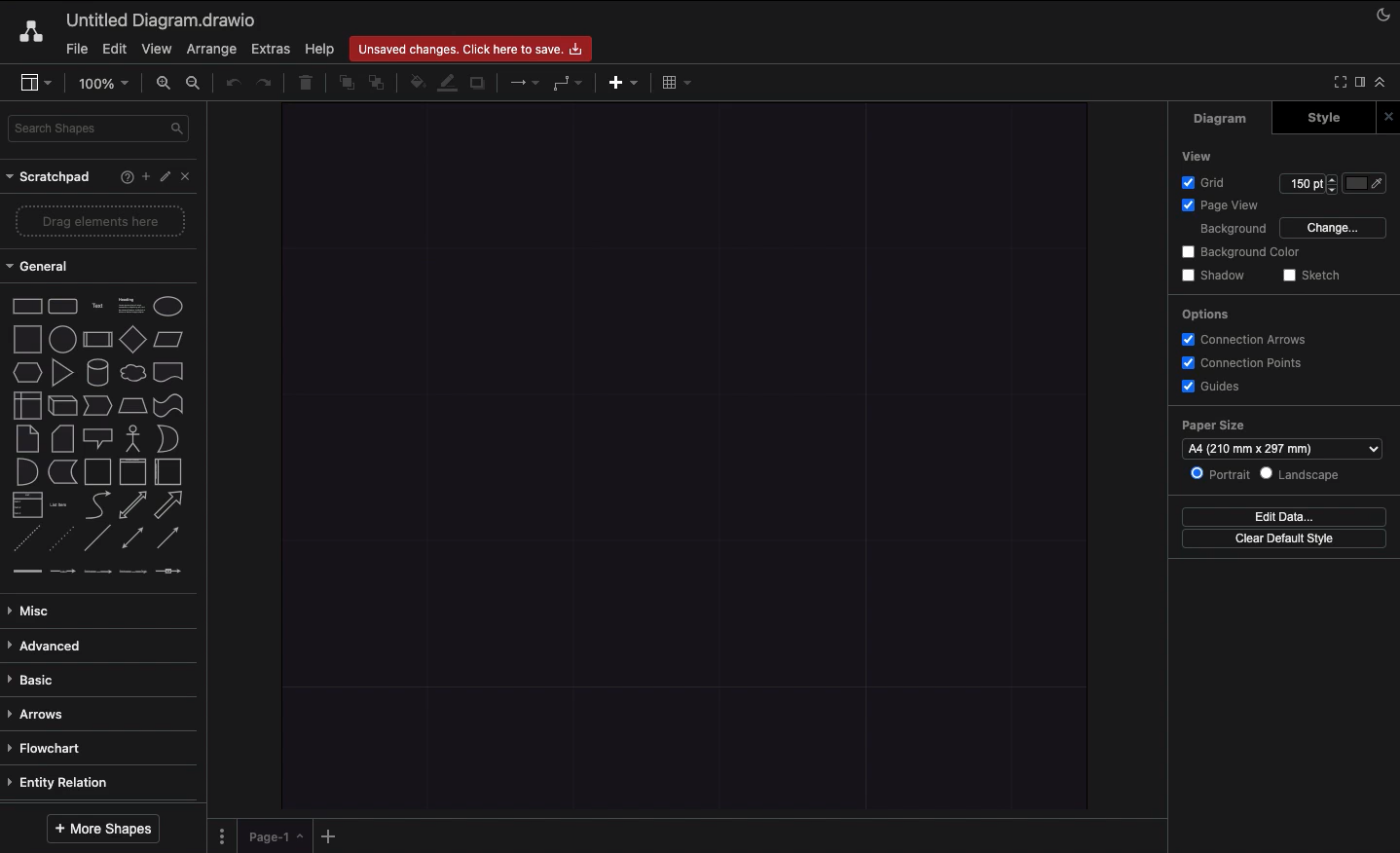  What do you see at coordinates (196, 85) in the screenshot?
I see `Zoom out` at bounding box center [196, 85].